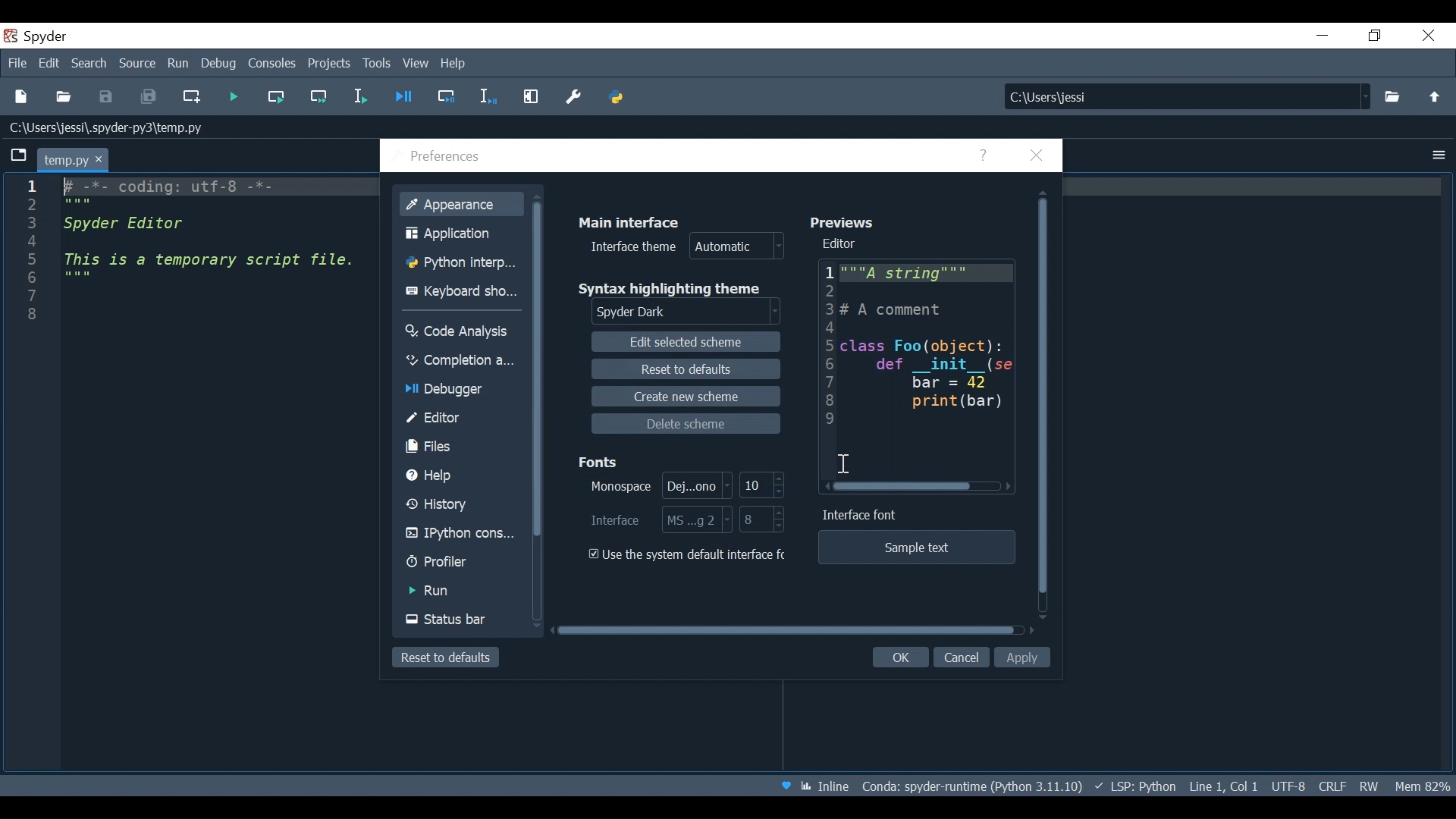 The height and width of the screenshot is (819, 1456). I want to click on Maximize current pane, so click(531, 99).